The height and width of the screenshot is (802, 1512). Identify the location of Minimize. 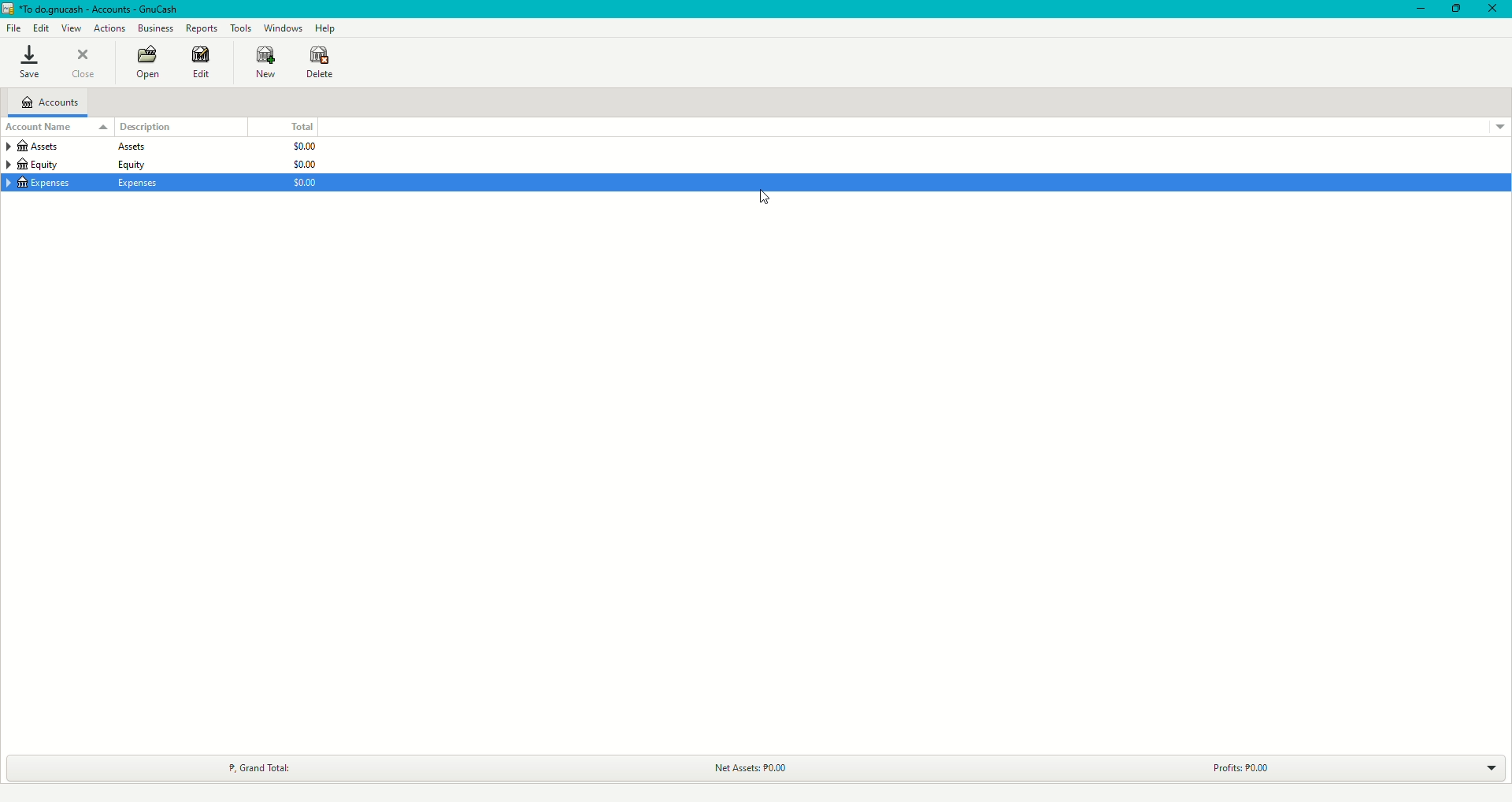
(1421, 9).